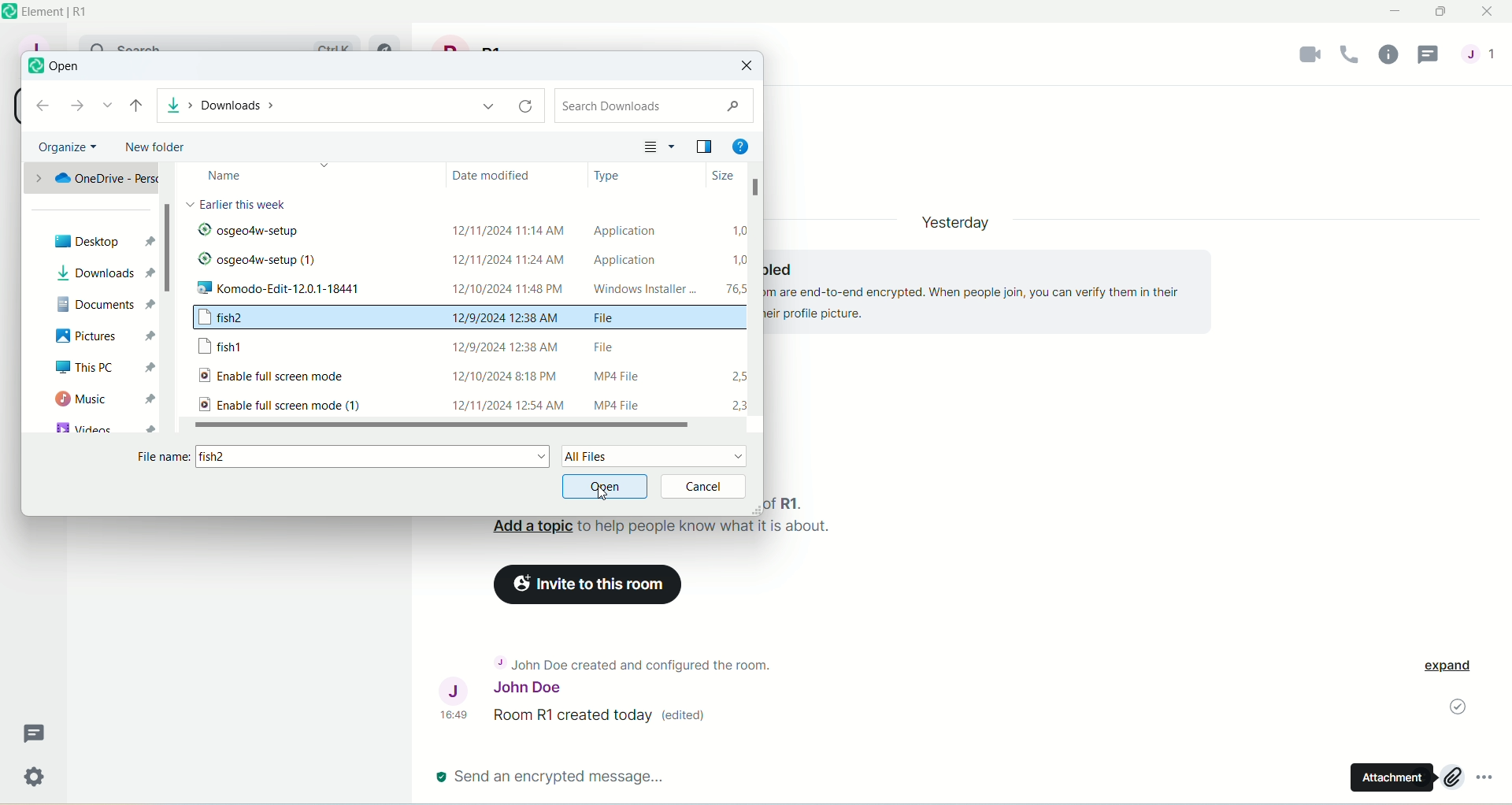  What do you see at coordinates (102, 308) in the screenshot?
I see `documents` at bounding box center [102, 308].